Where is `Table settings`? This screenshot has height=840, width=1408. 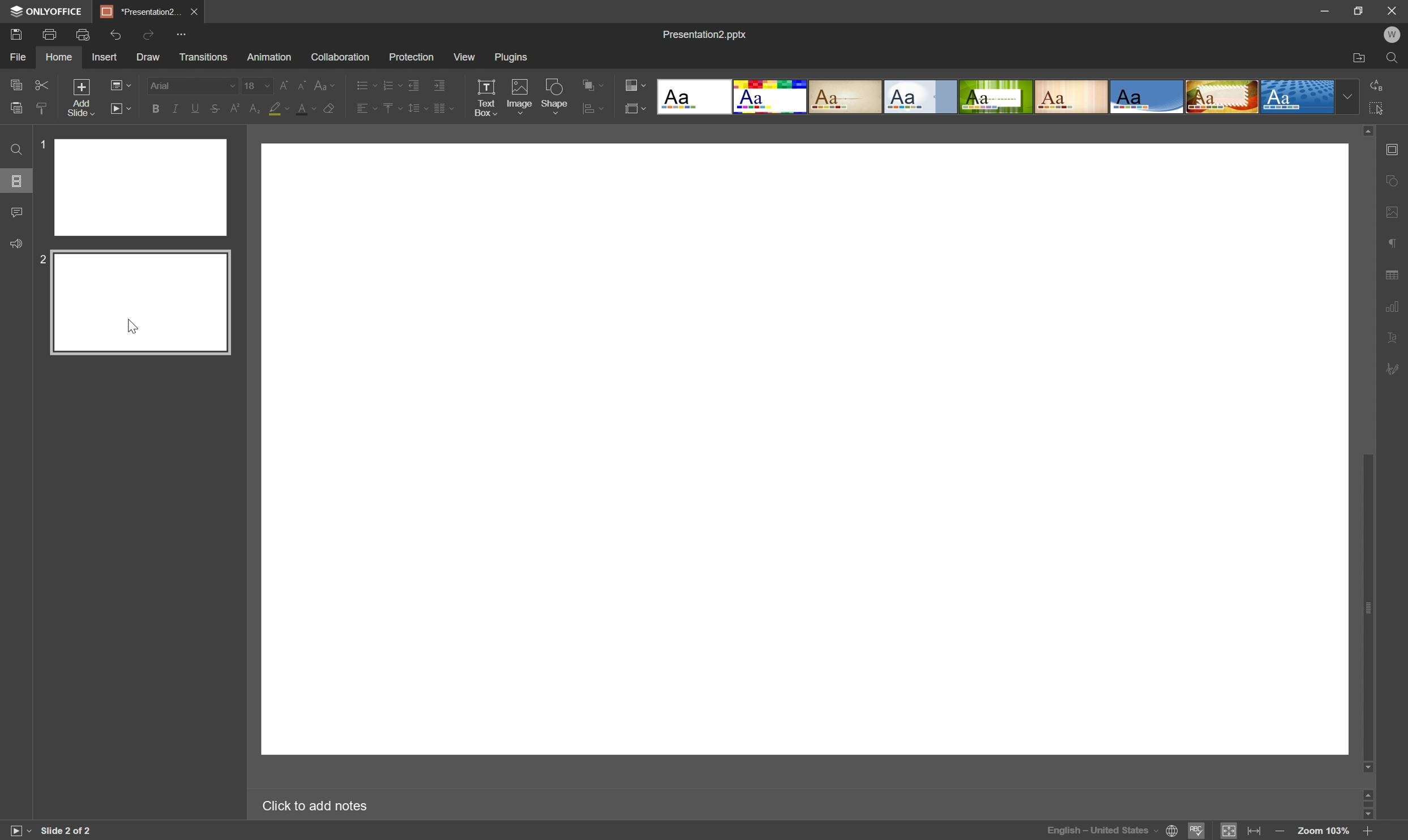
Table settings is located at coordinates (1397, 273).